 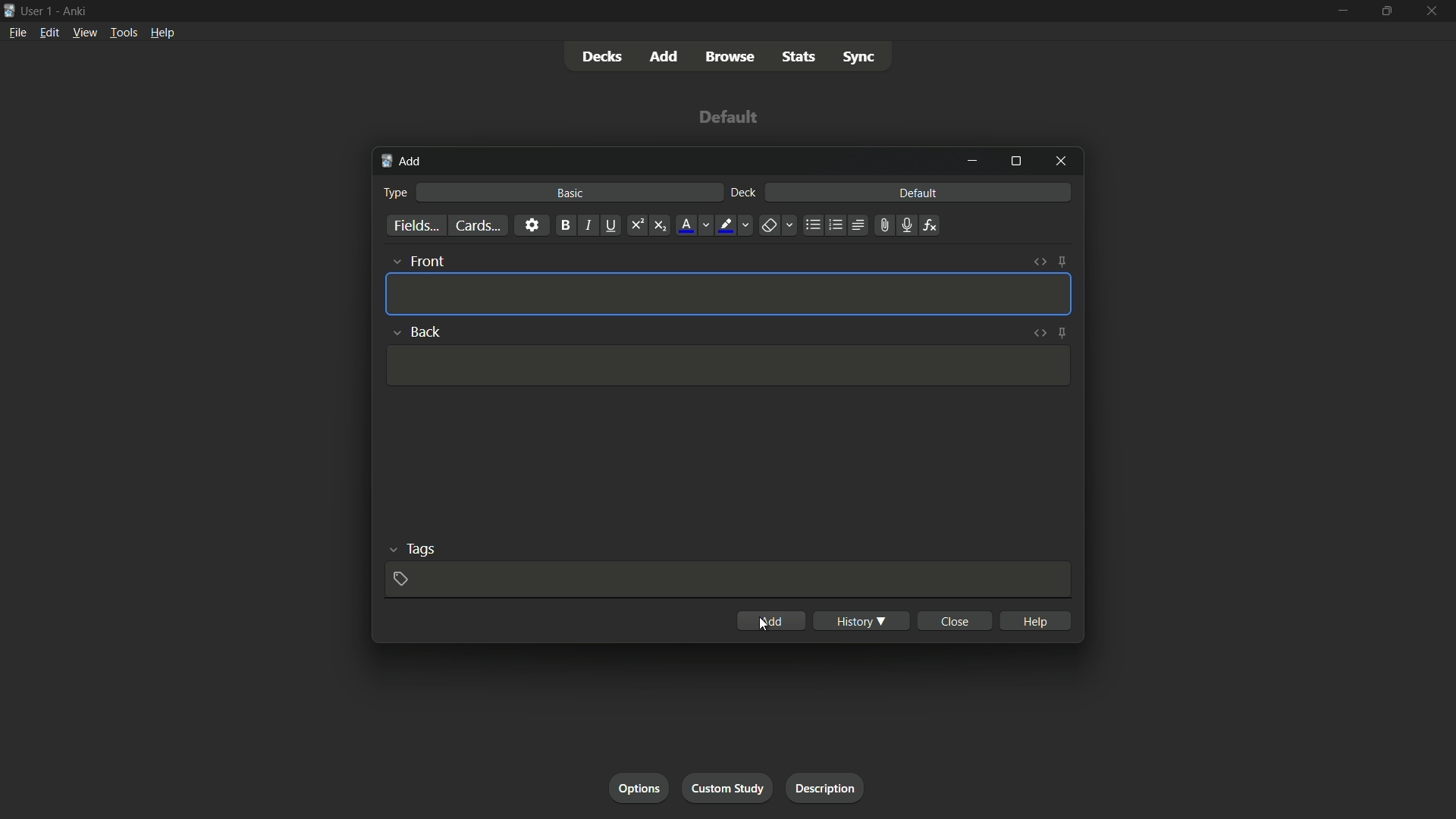 I want to click on add, so click(x=772, y=620).